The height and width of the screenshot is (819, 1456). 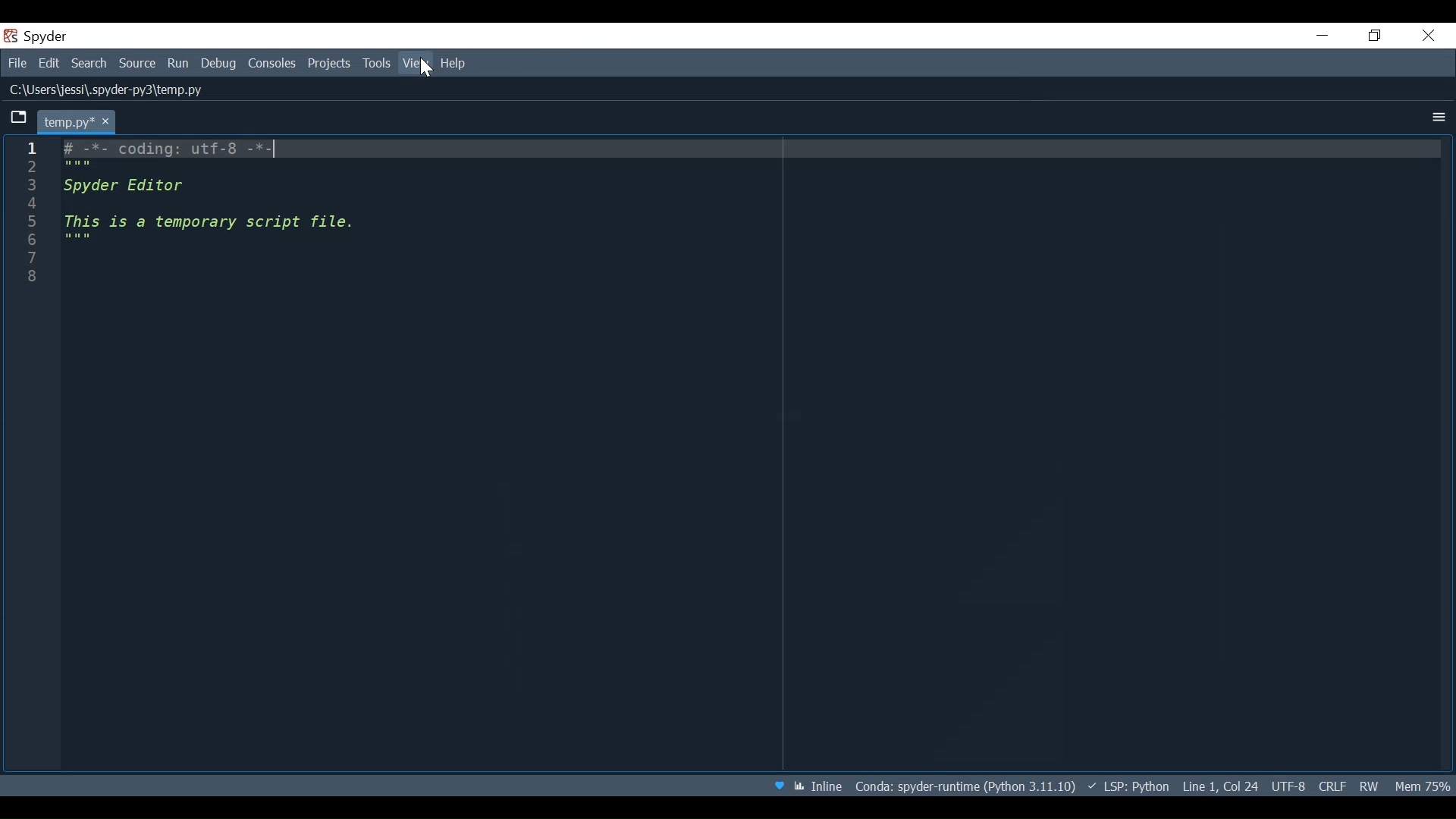 What do you see at coordinates (425, 67) in the screenshot?
I see `Cursor ` at bounding box center [425, 67].